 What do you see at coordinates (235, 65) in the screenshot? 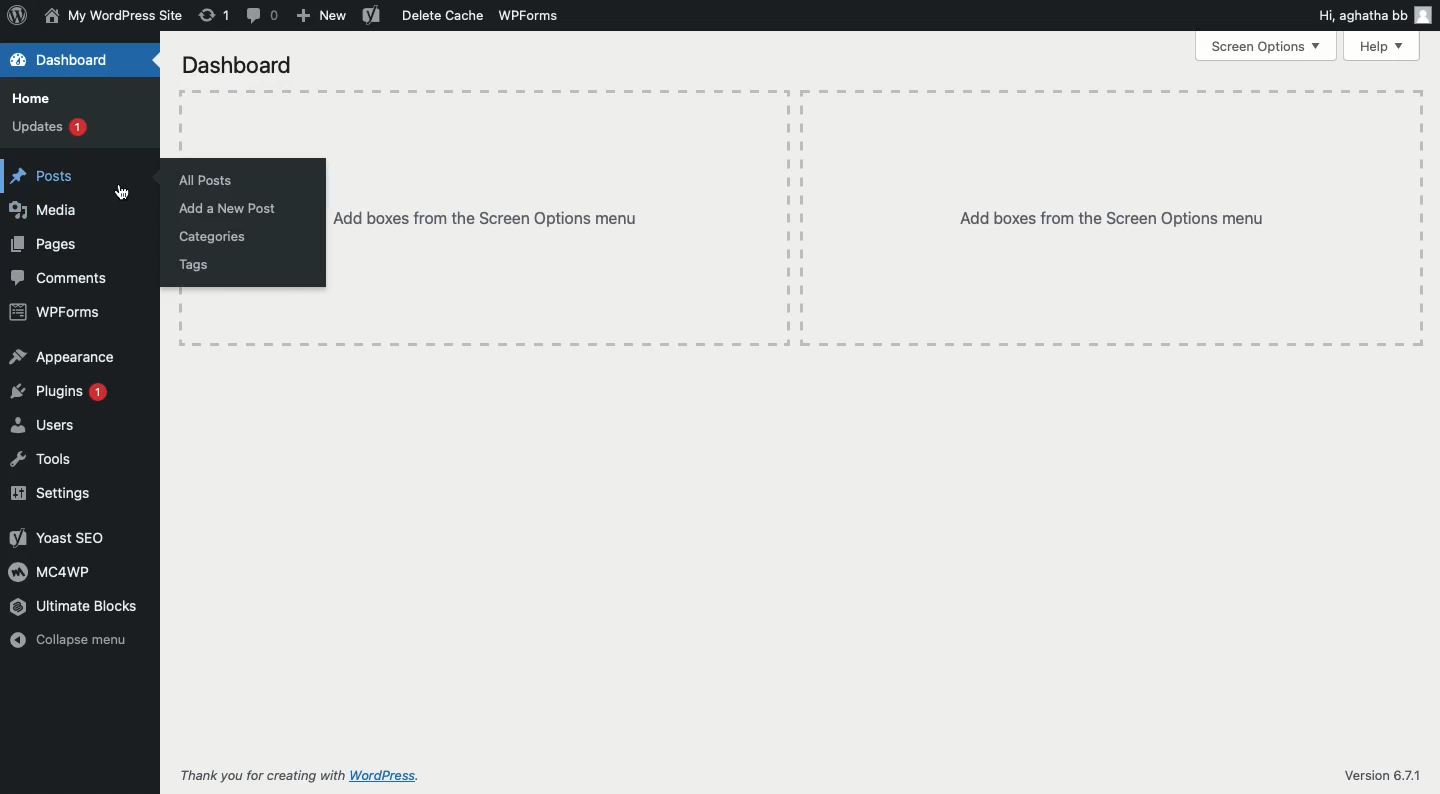
I see `Dashboard` at bounding box center [235, 65].